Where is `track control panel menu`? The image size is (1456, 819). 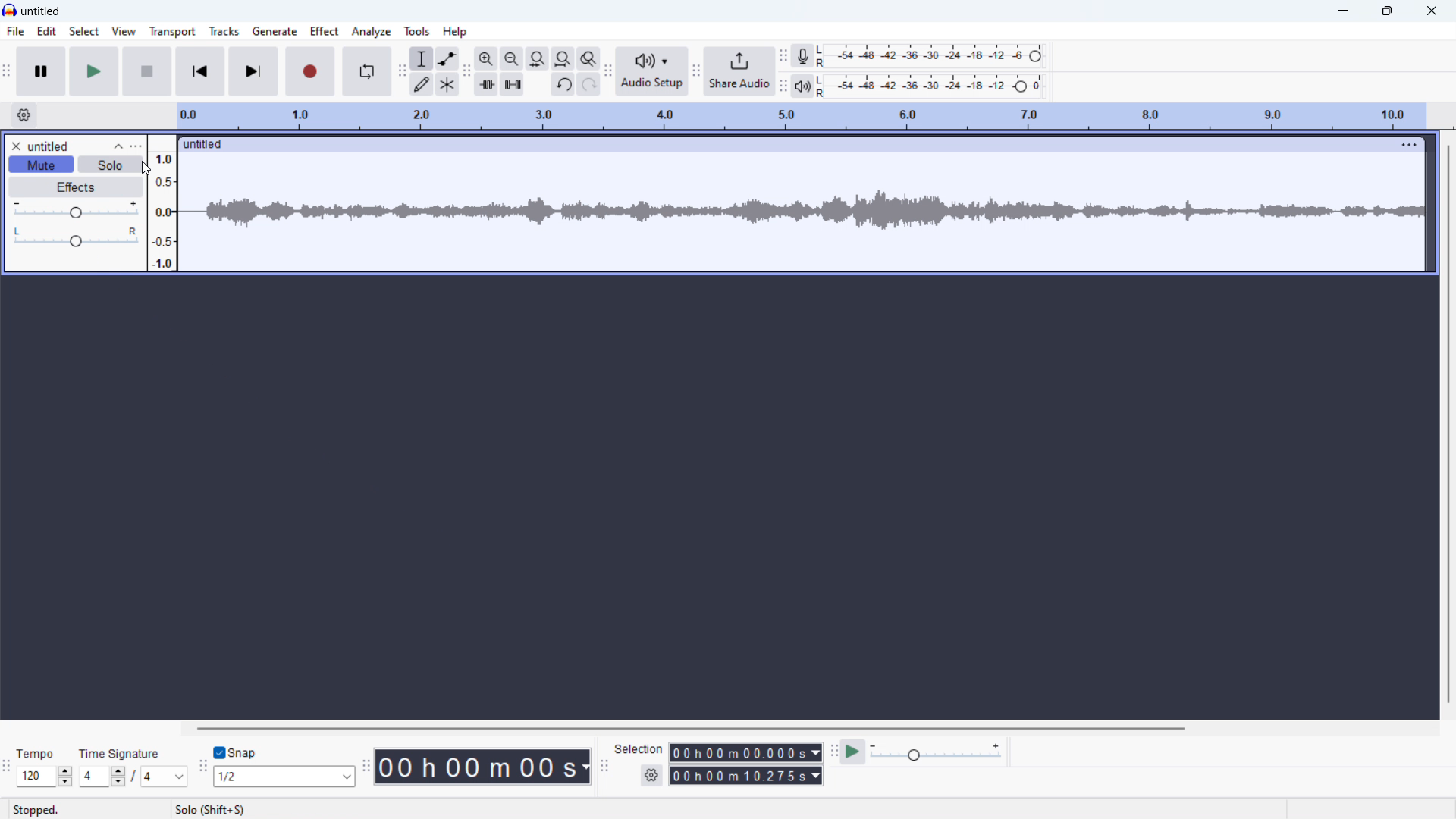 track control panel menu is located at coordinates (136, 146).